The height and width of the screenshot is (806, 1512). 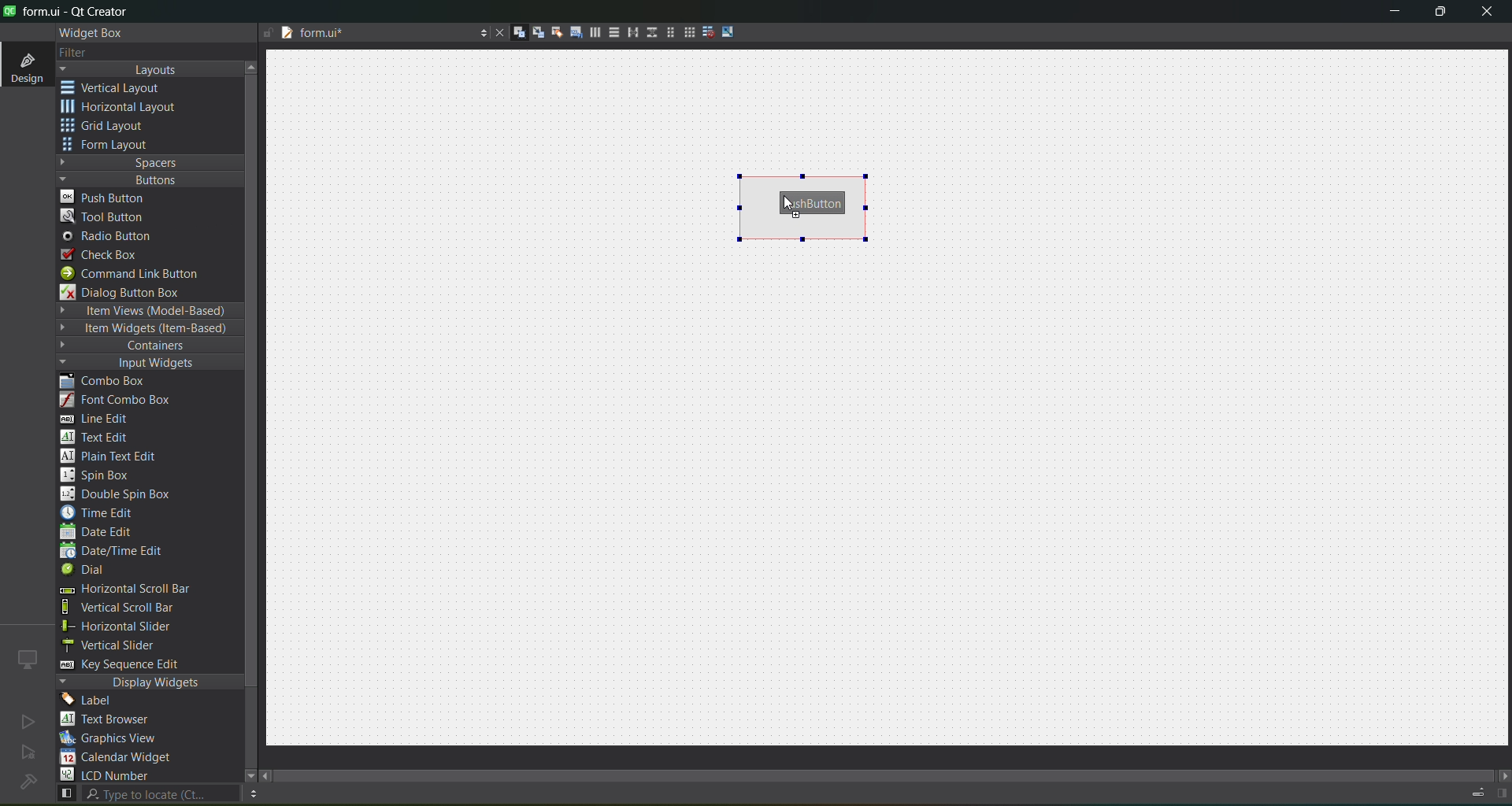 What do you see at coordinates (85, 54) in the screenshot?
I see `filter` at bounding box center [85, 54].